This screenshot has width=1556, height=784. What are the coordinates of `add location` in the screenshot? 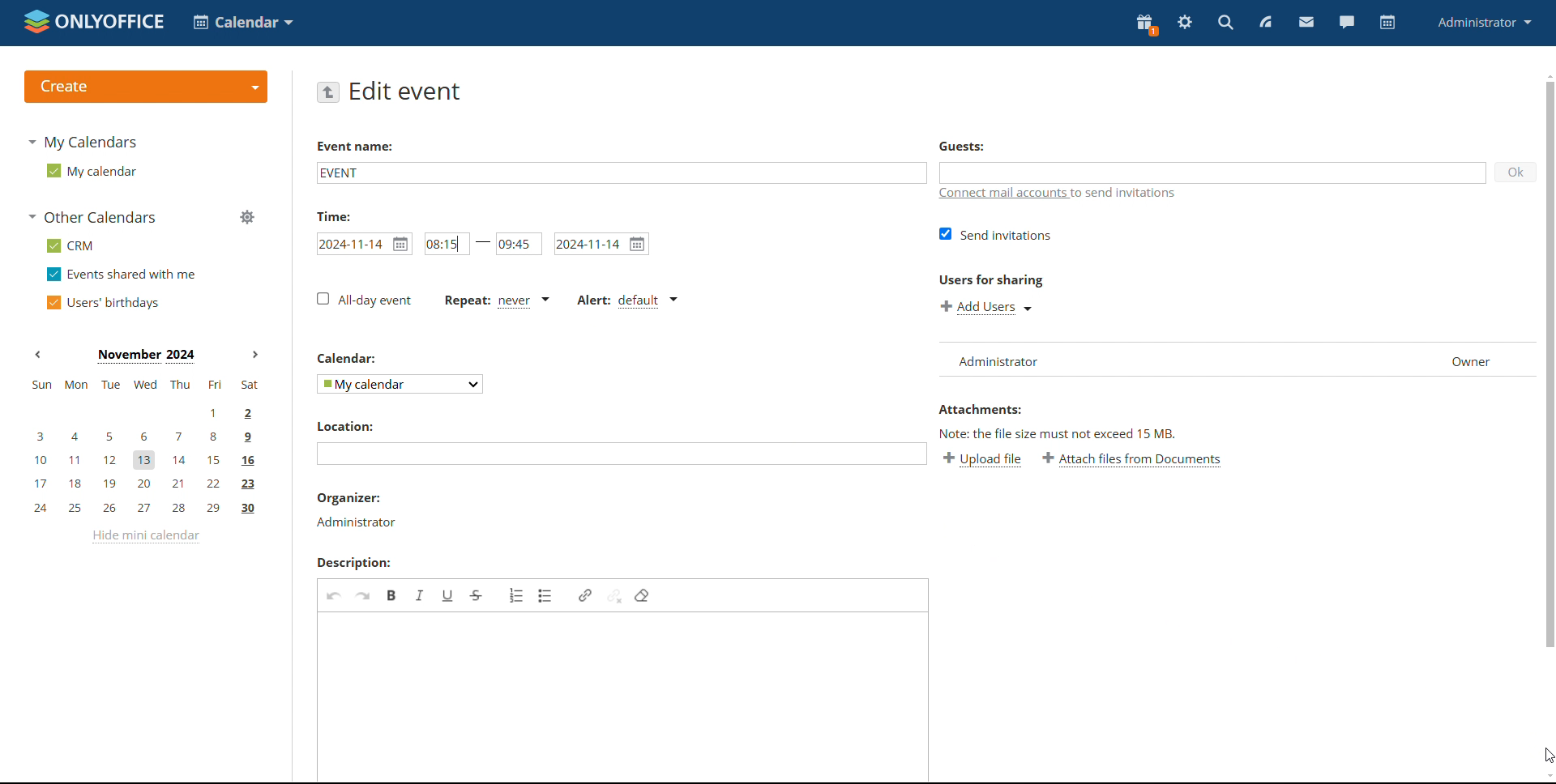 It's located at (622, 454).